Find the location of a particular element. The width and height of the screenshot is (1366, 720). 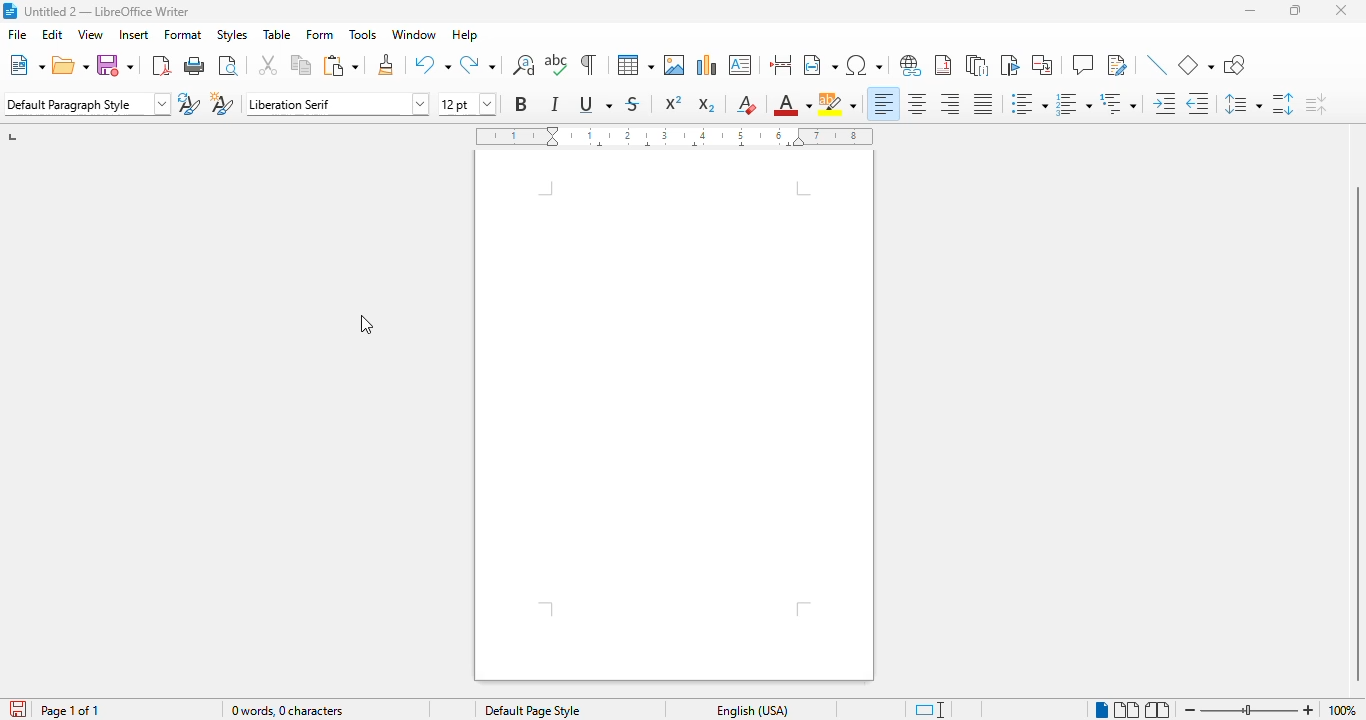

decrease indent is located at coordinates (1200, 104).